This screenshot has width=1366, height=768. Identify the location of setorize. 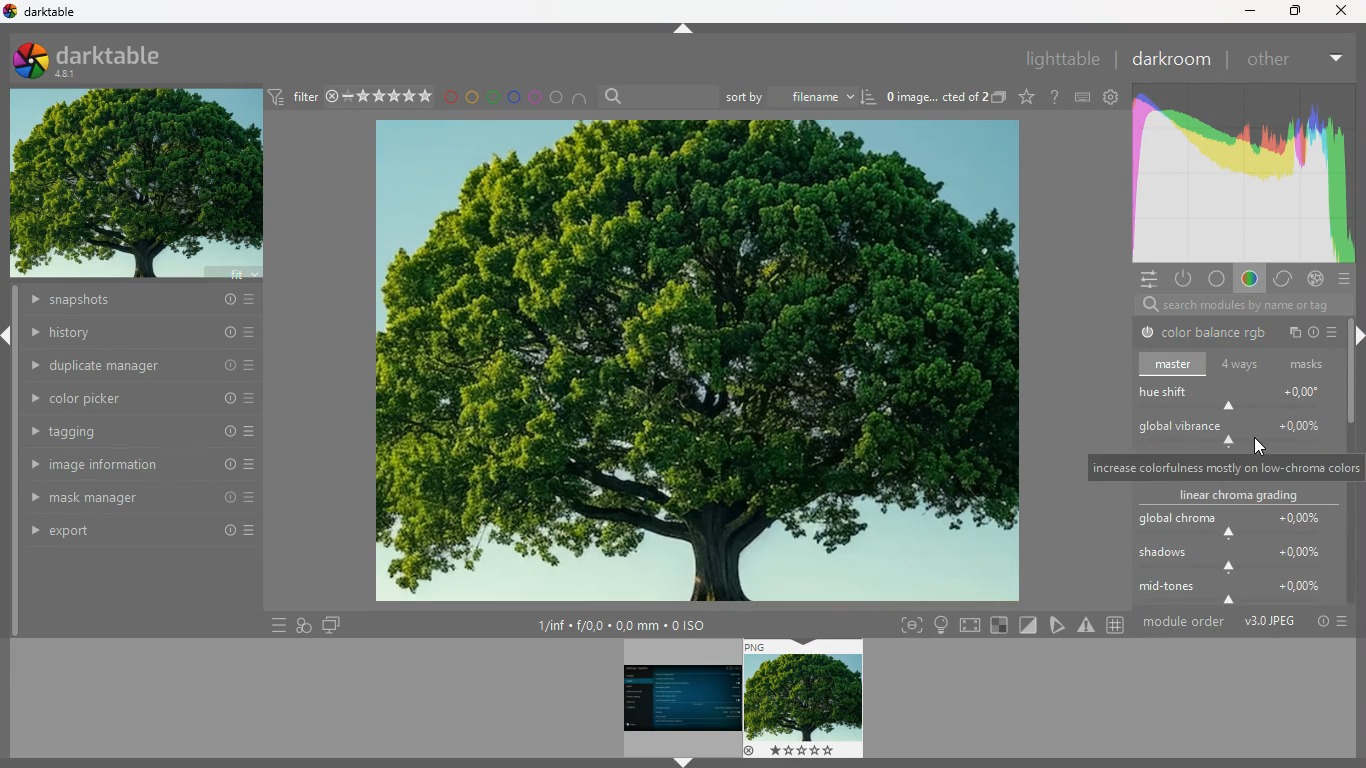
(1001, 625).